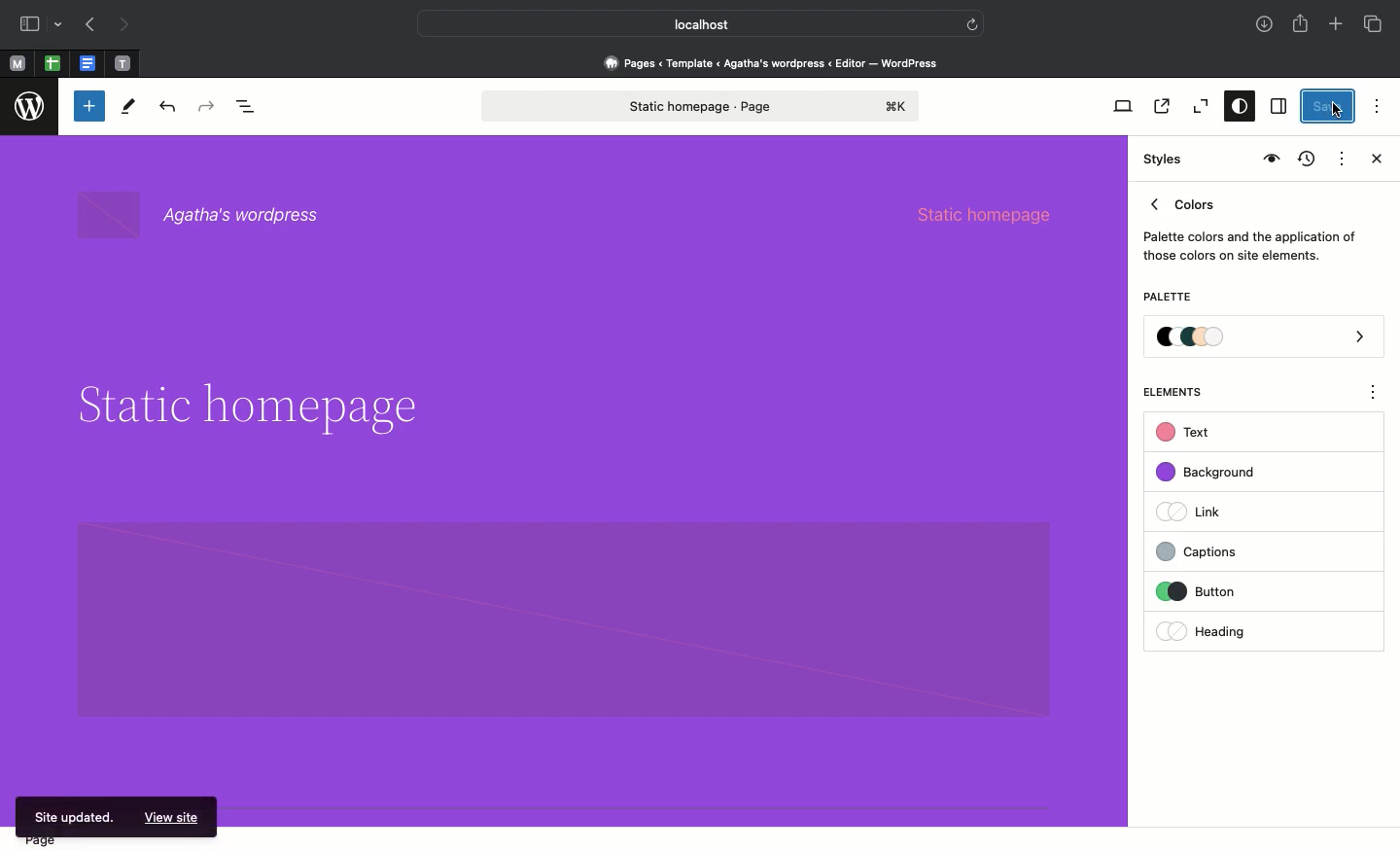 Image resolution: width=1400 pixels, height=850 pixels. What do you see at coordinates (1304, 160) in the screenshot?
I see `Revisions` at bounding box center [1304, 160].